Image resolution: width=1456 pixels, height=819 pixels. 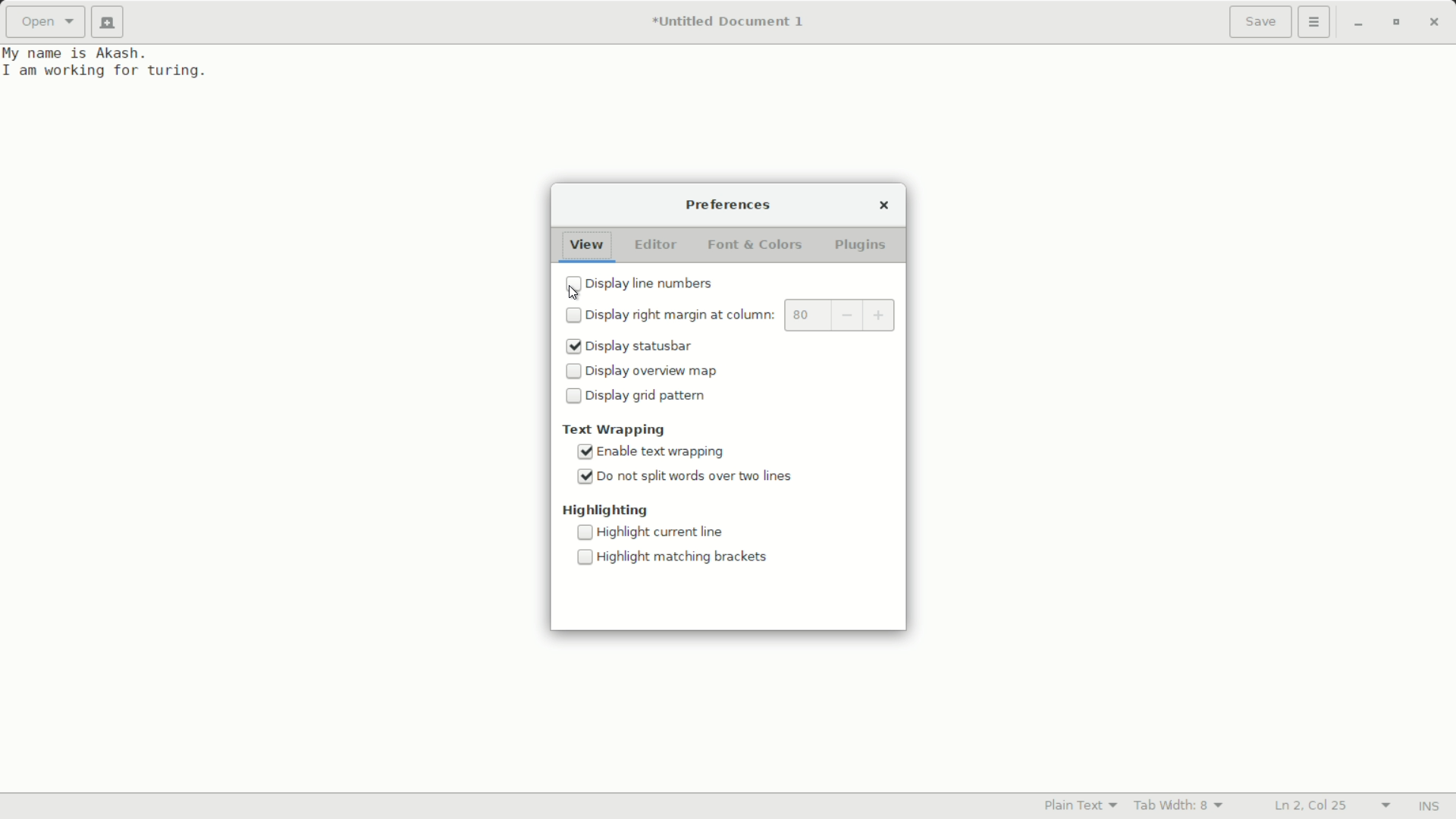 I want to click on checkbox, so click(x=573, y=395).